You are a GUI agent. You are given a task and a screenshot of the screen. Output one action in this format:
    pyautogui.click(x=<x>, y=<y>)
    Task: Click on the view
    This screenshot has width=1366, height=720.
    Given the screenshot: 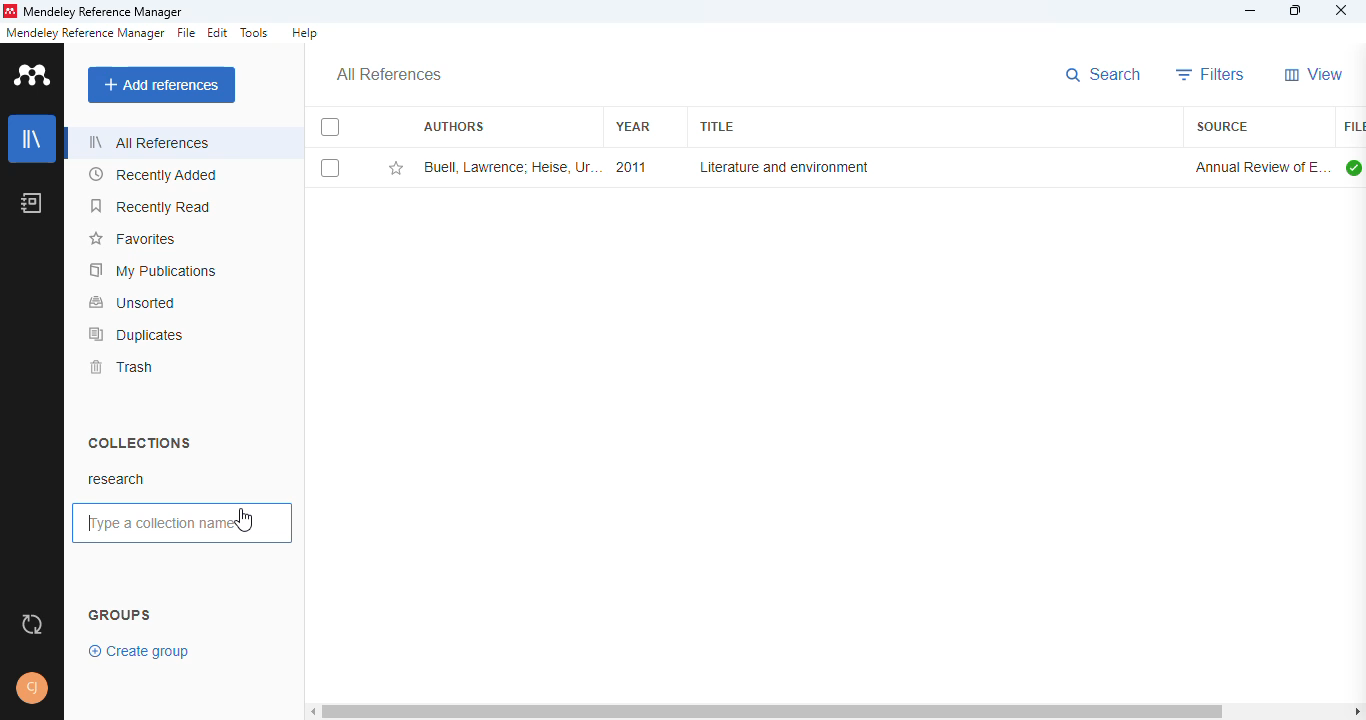 What is the action you would take?
    pyautogui.click(x=1315, y=74)
    